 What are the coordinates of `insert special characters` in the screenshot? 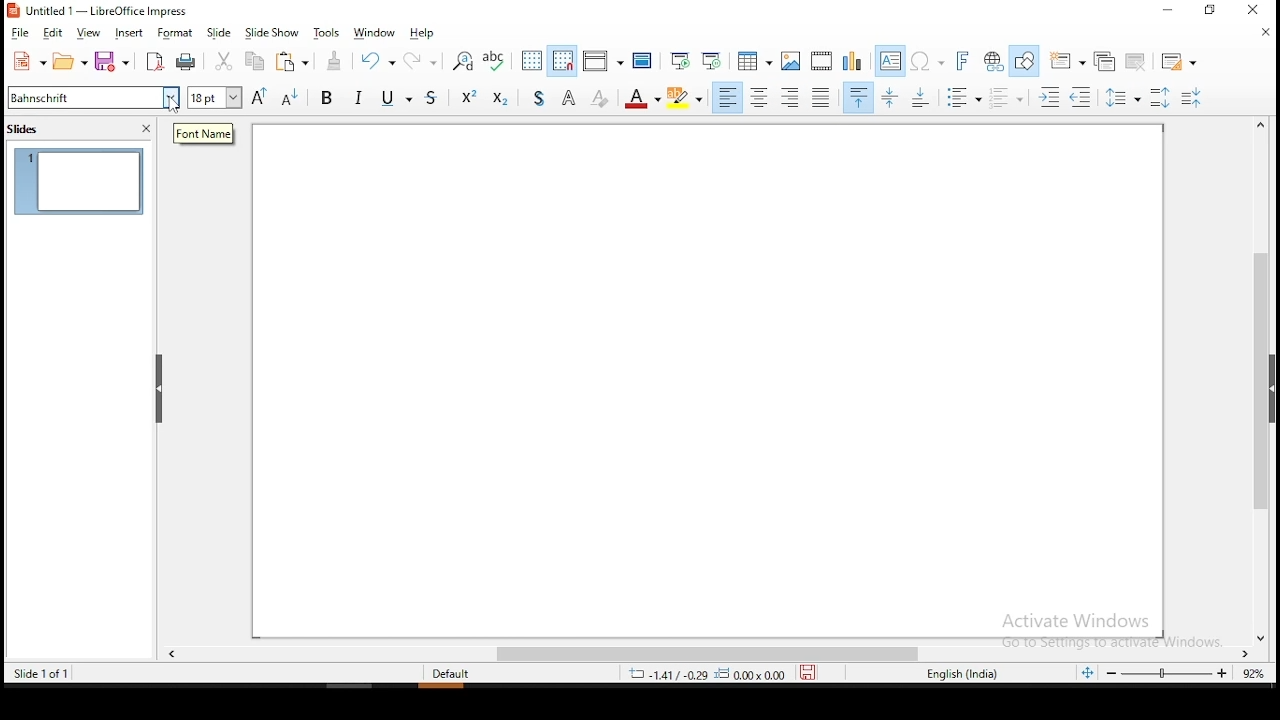 It's located at (930, 60).